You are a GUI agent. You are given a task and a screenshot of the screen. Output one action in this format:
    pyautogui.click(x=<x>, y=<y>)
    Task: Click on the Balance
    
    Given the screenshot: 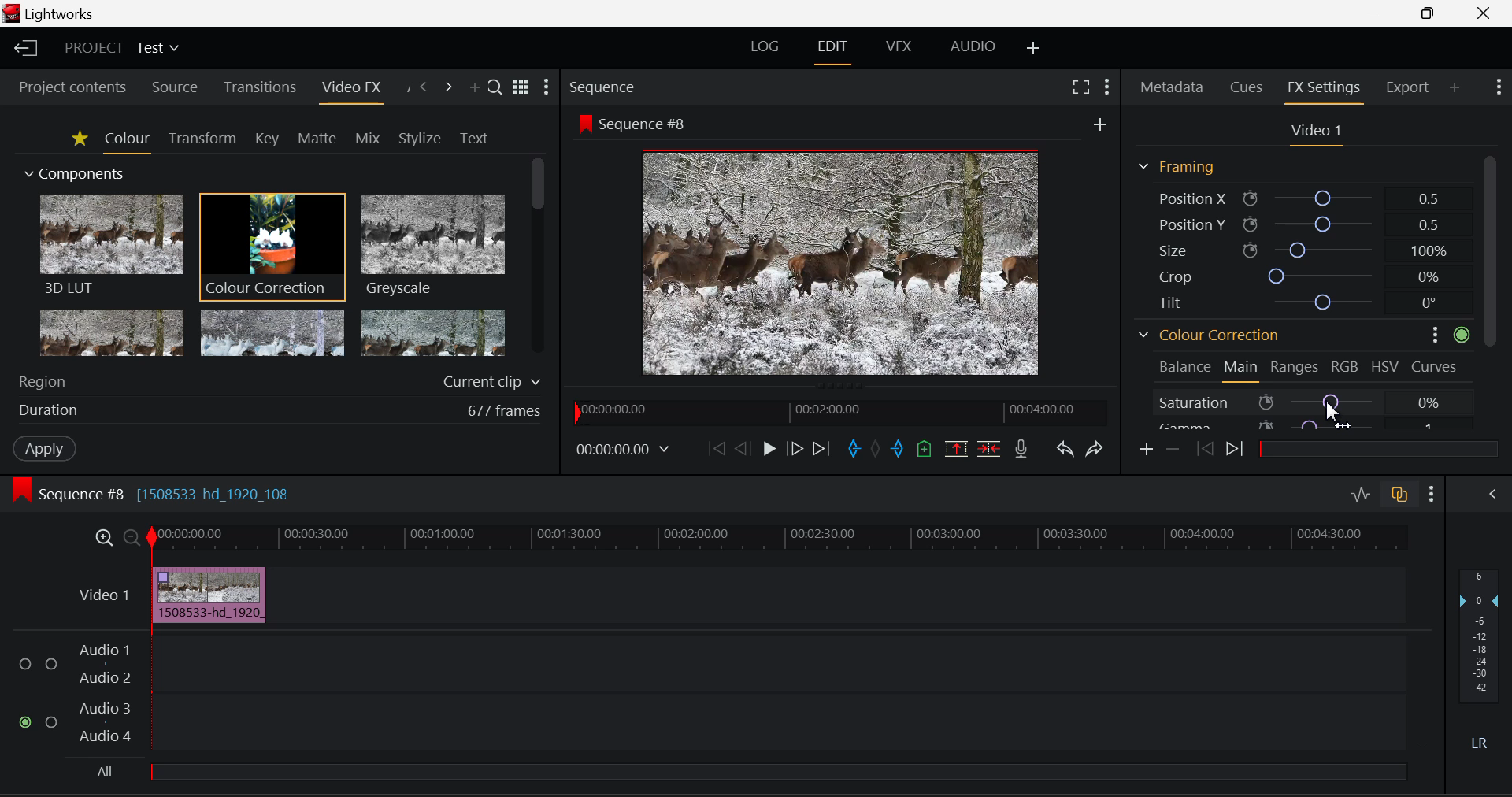 What is the action you would take?
    pyautogui.click(x=1184, y=366)
    